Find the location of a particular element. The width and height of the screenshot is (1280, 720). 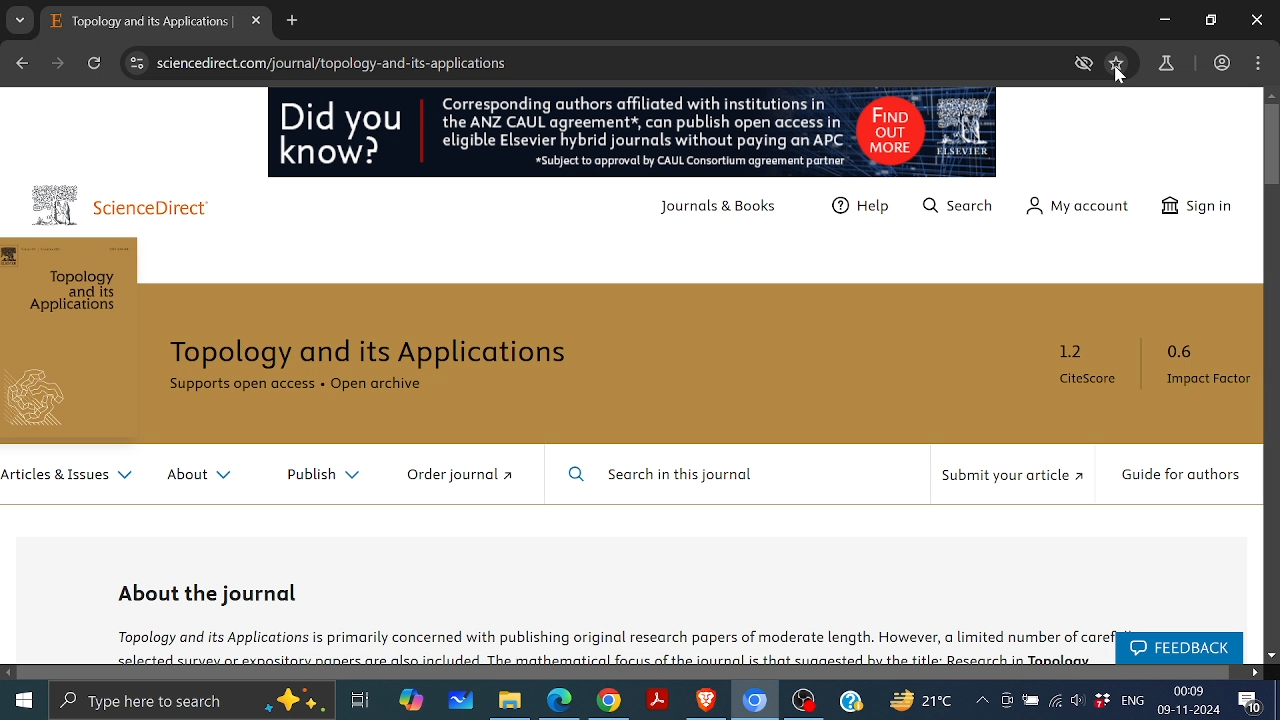

order journal is located at coordinates (470, 477).